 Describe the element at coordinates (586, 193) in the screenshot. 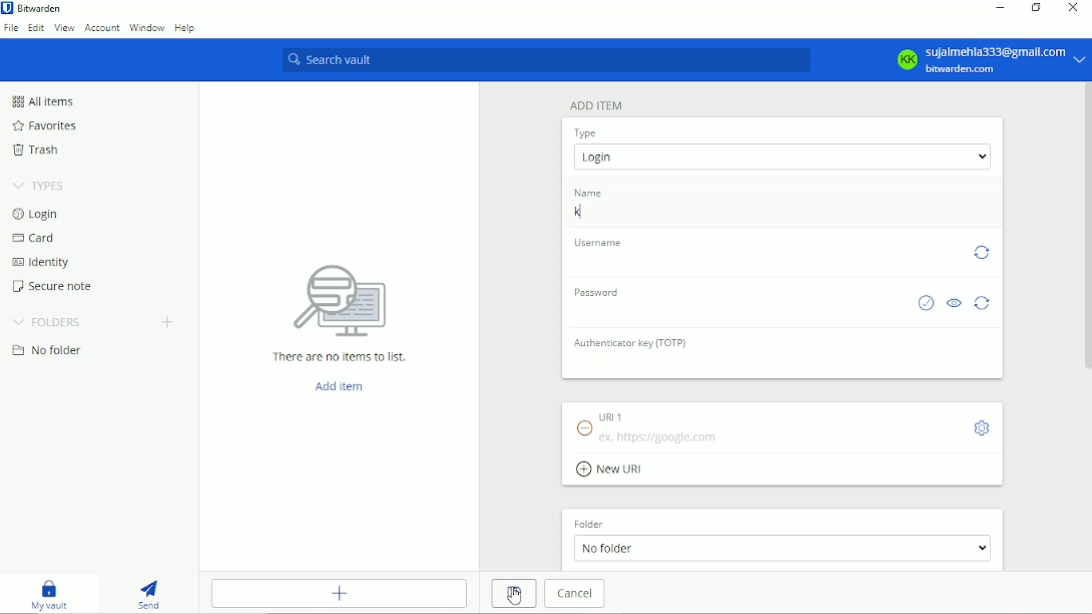

I see `Name` at that location.